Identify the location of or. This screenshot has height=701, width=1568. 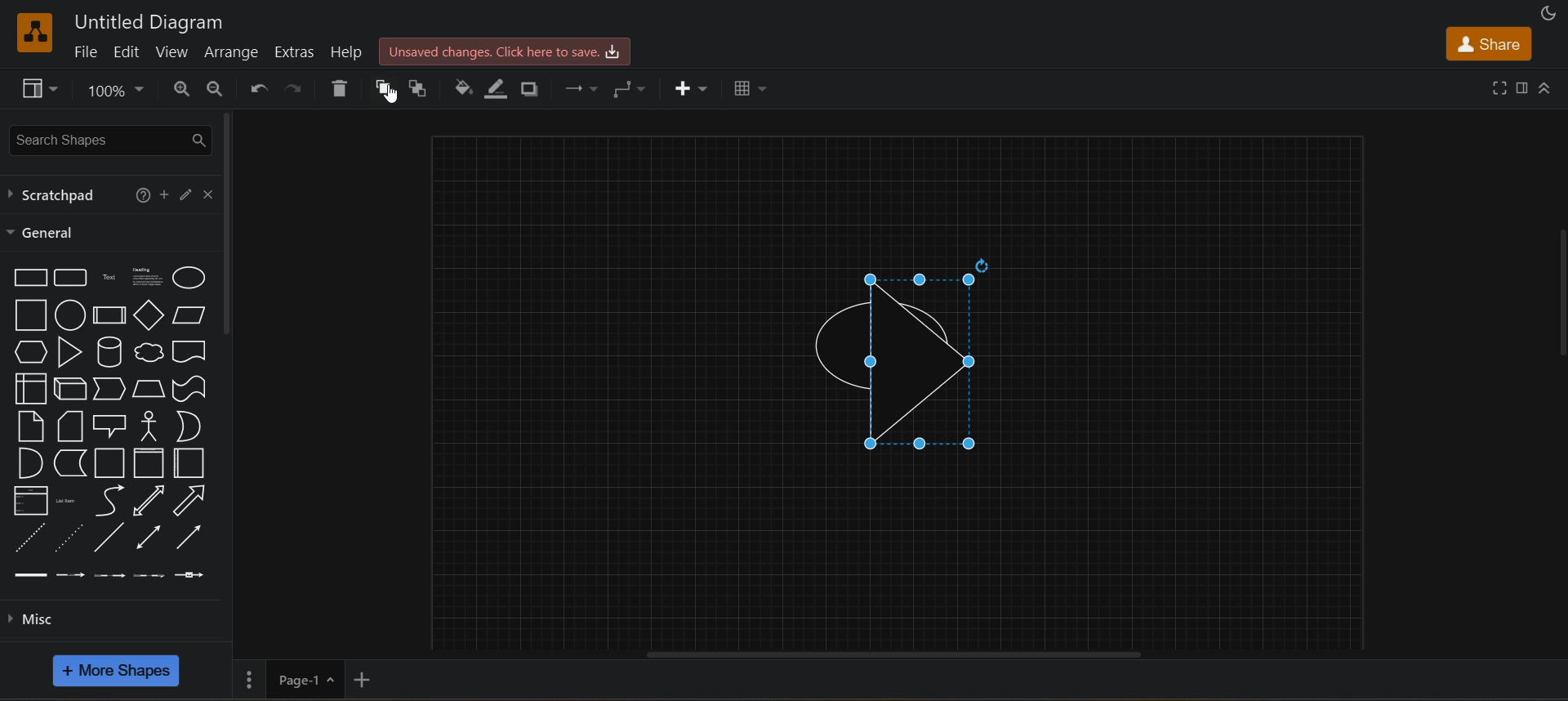
(189, 426).